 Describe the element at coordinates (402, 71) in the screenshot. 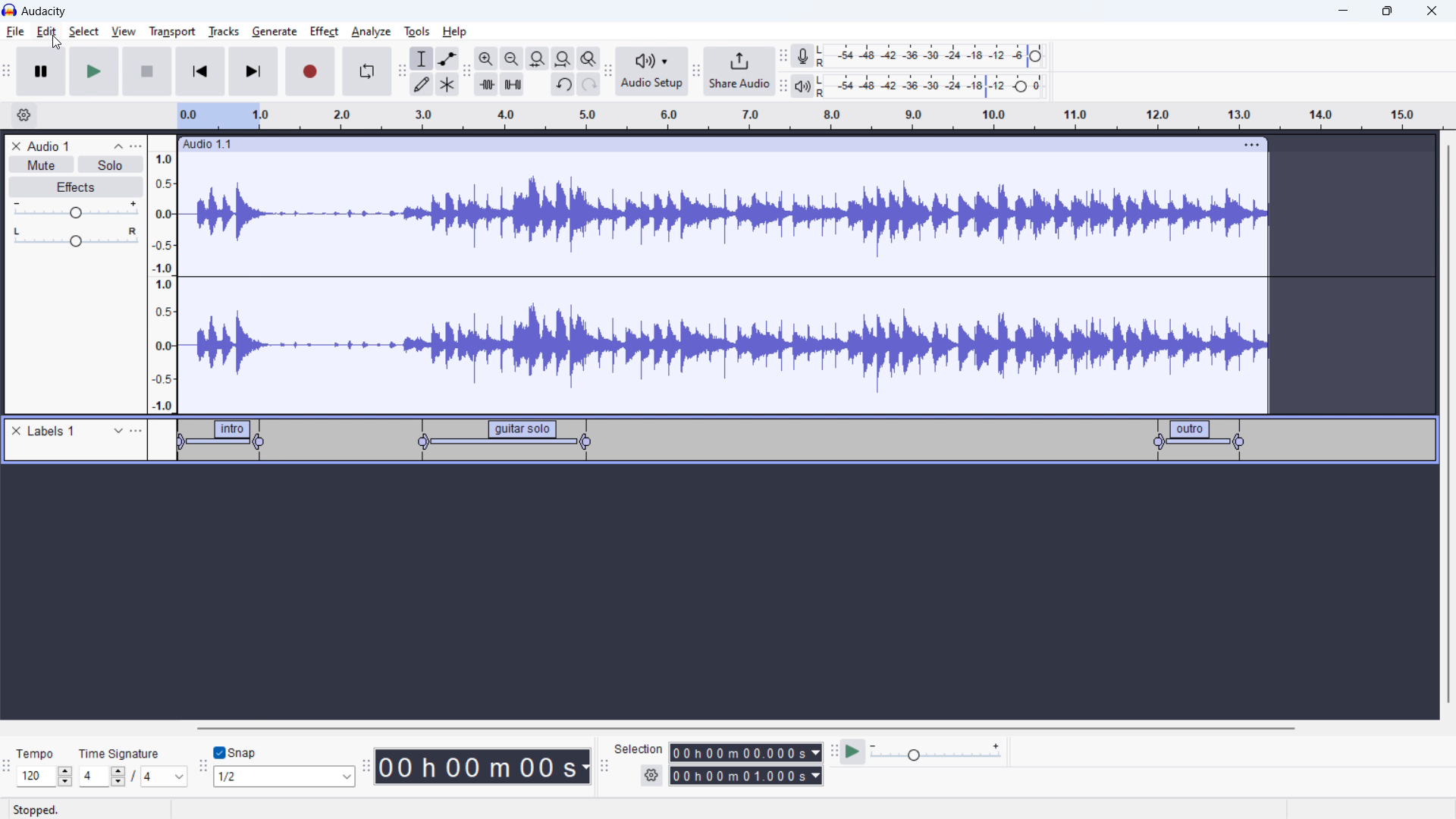

I see `tools toolbar` at that location.